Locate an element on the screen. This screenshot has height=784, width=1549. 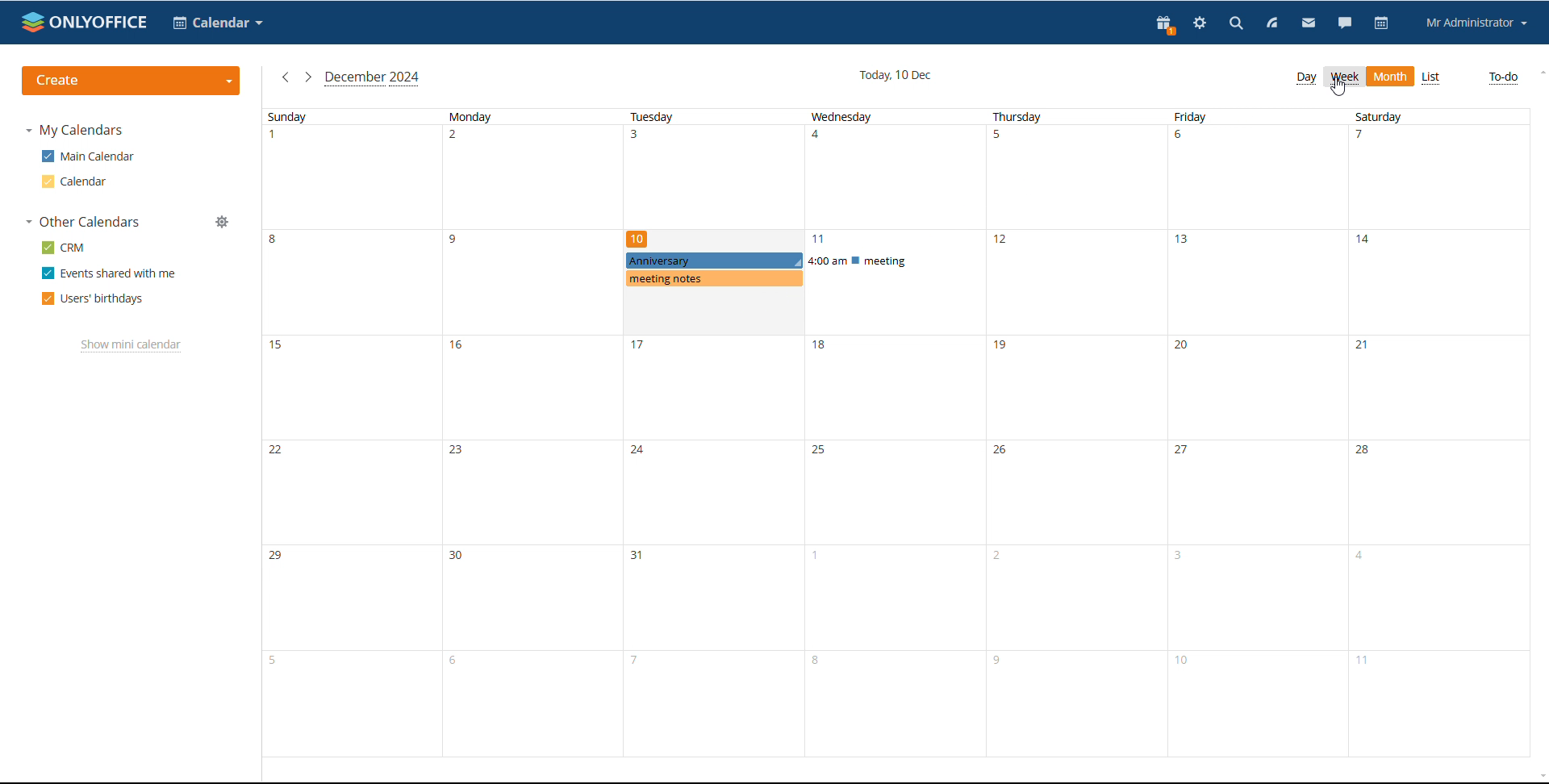
main calendar is located at coordinates (88, 156).